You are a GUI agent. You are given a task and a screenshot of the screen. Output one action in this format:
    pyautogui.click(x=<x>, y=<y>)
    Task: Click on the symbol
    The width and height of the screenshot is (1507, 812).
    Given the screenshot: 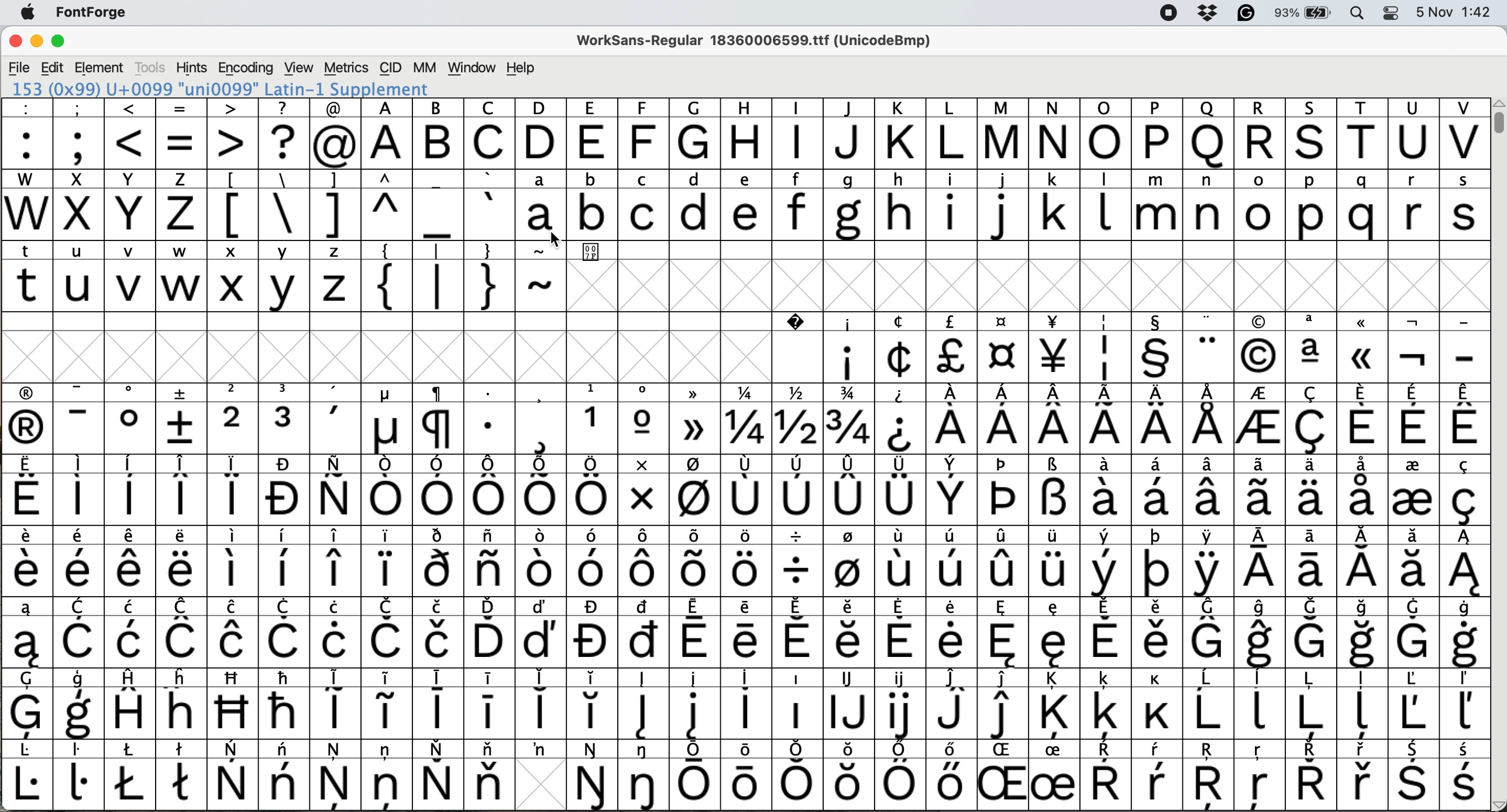 What is the action you would take?
    pyautogui.click(x=489, y=562)
    